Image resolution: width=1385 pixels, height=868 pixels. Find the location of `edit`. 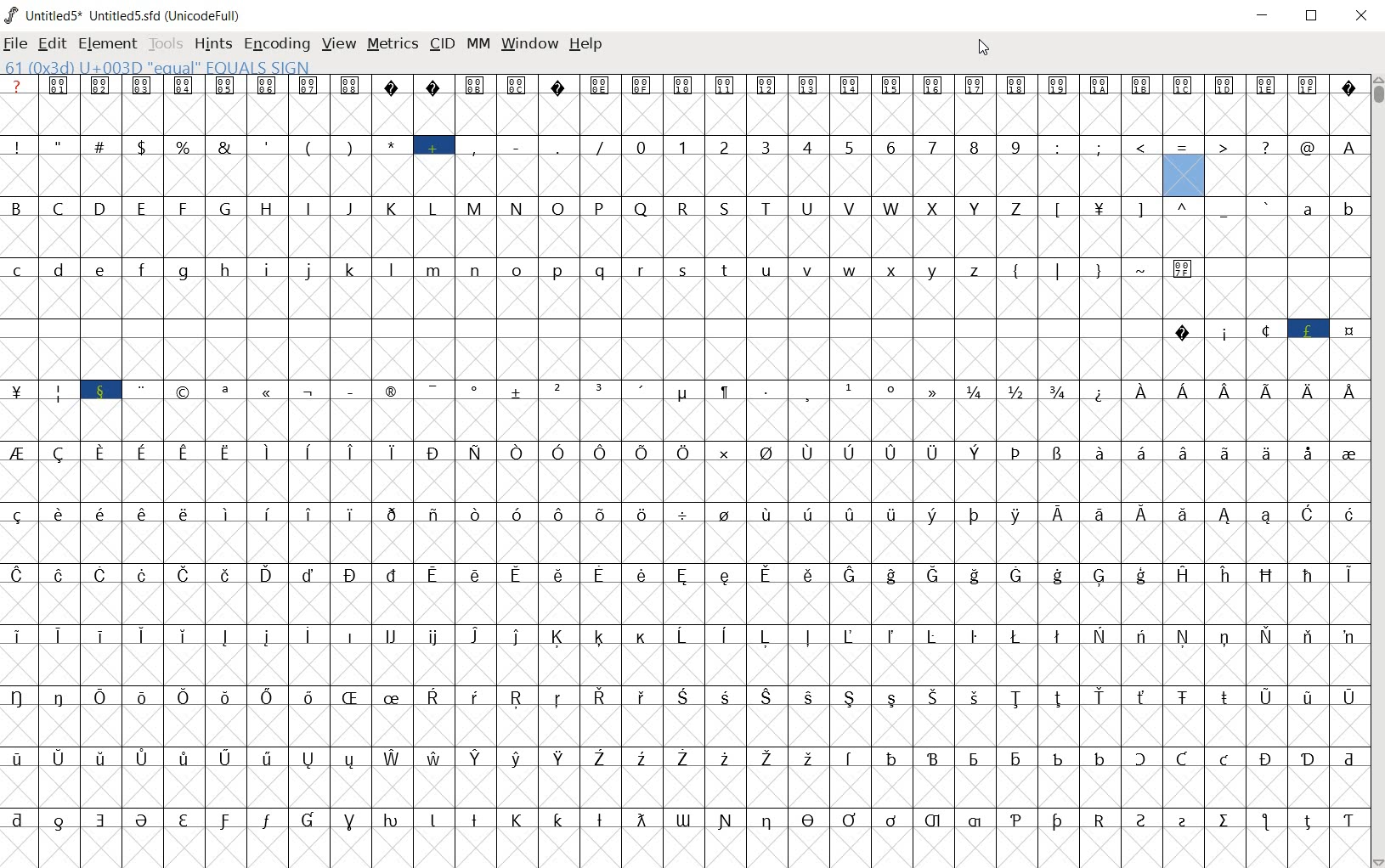

edit is located at coordinates (52, 43).